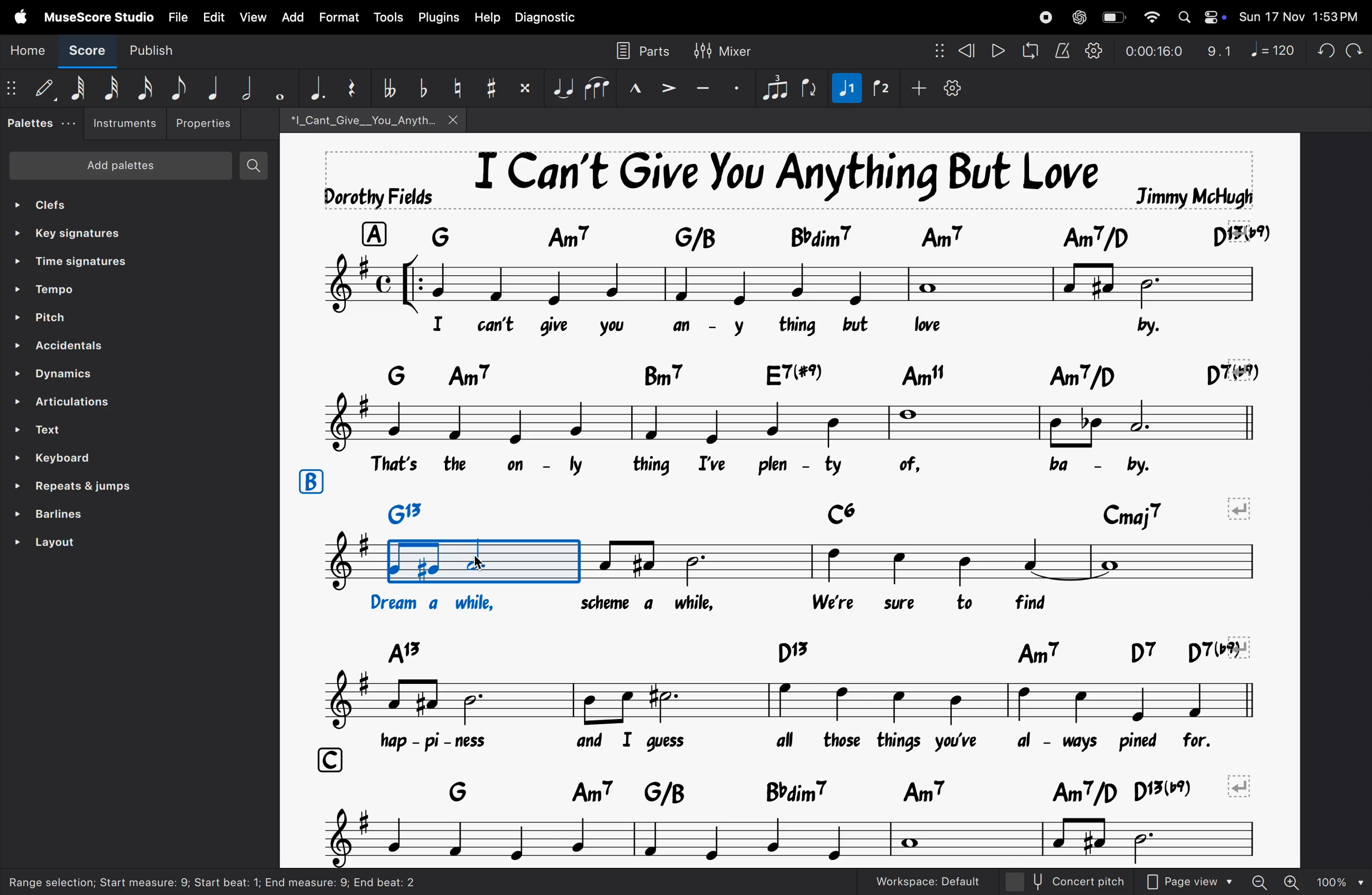 The image size is (1372, 895). I want to click on notes, so click(784, 420).